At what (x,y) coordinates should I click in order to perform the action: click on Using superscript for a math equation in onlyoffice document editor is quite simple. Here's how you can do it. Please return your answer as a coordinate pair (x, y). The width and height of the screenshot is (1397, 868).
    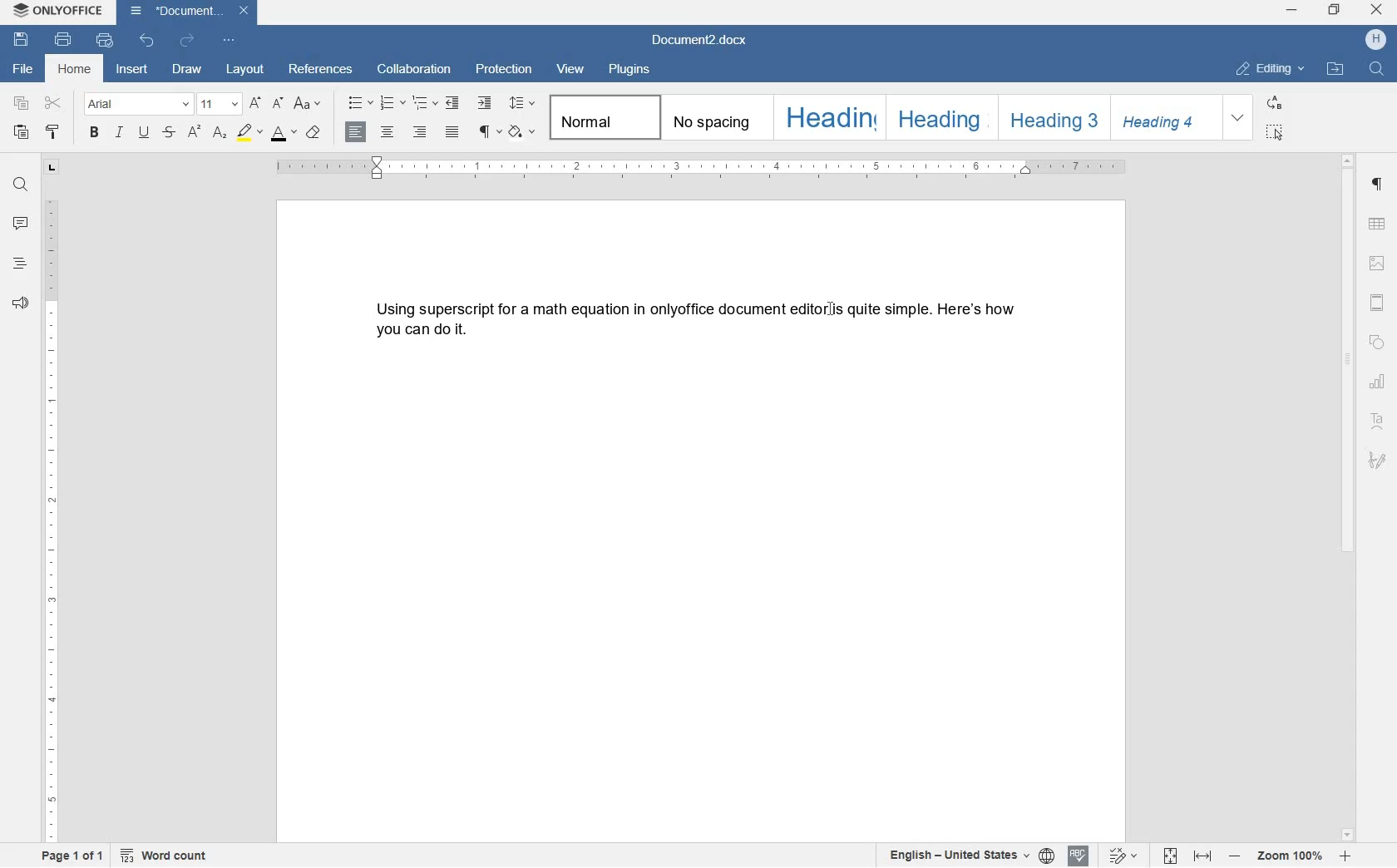
    Looking at the image, I should click on (698, 320).